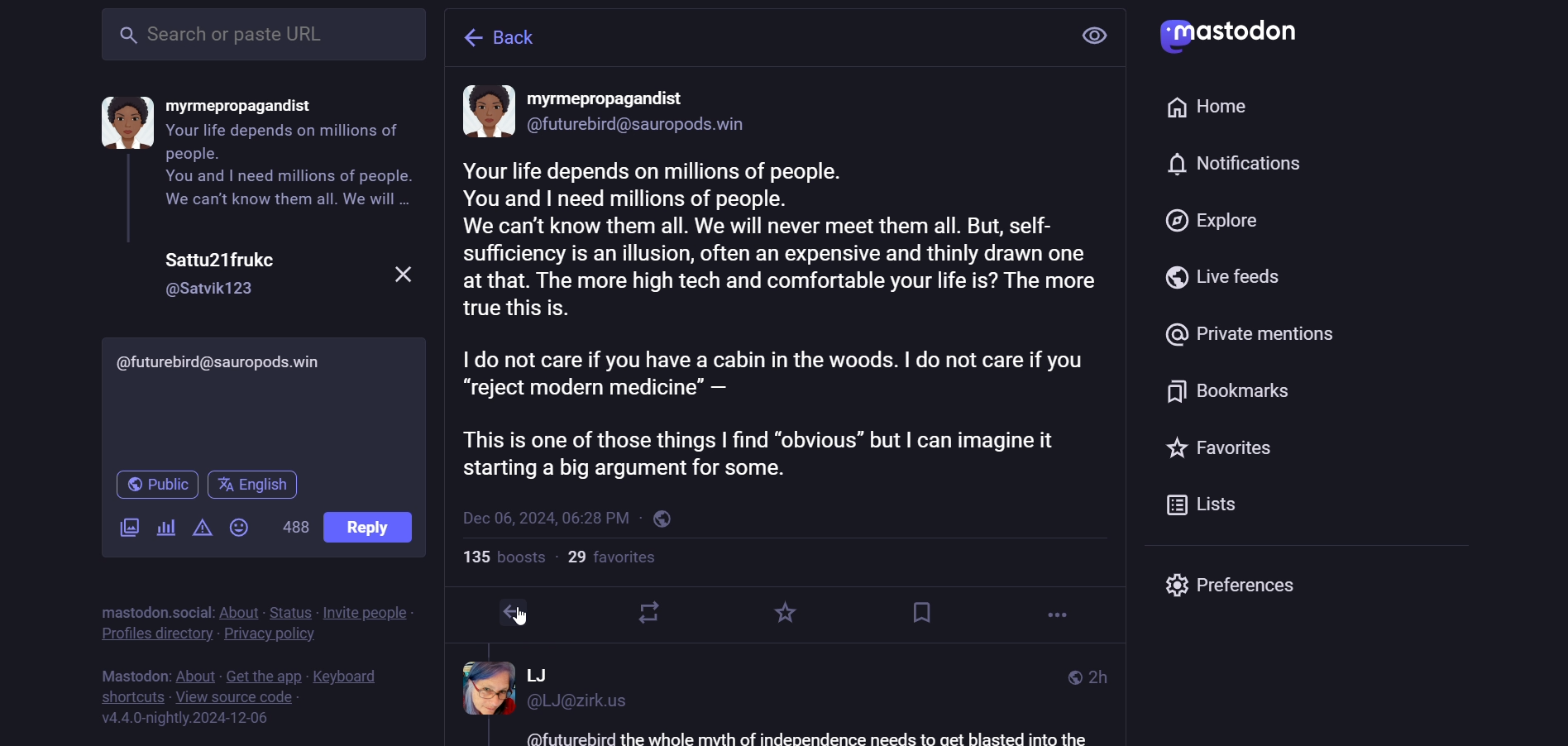 Image resolution: width=1568 pixels, height=746 pixels. I want to click on name, so click(543, 675).